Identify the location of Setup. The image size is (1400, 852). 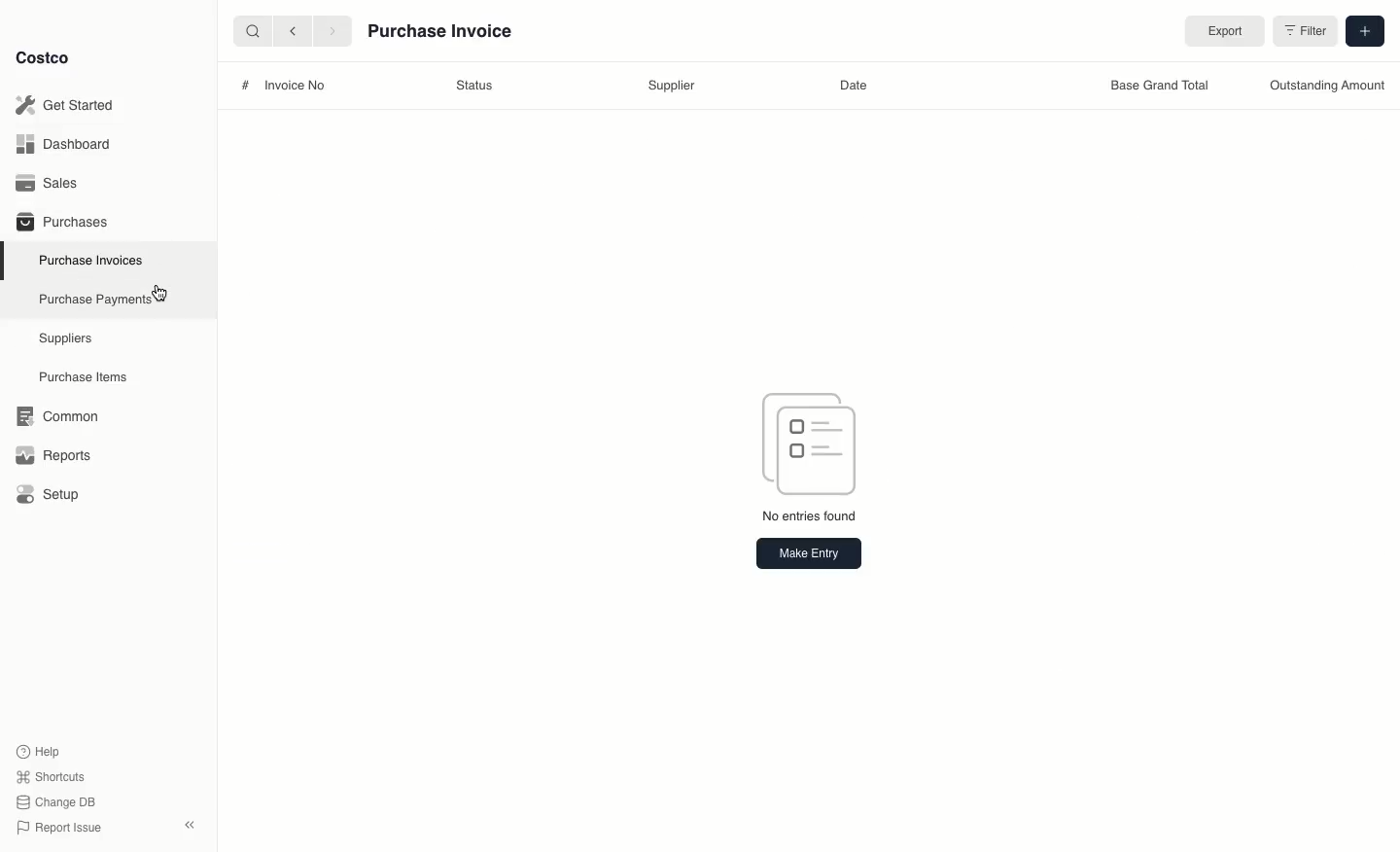
(54, 496).